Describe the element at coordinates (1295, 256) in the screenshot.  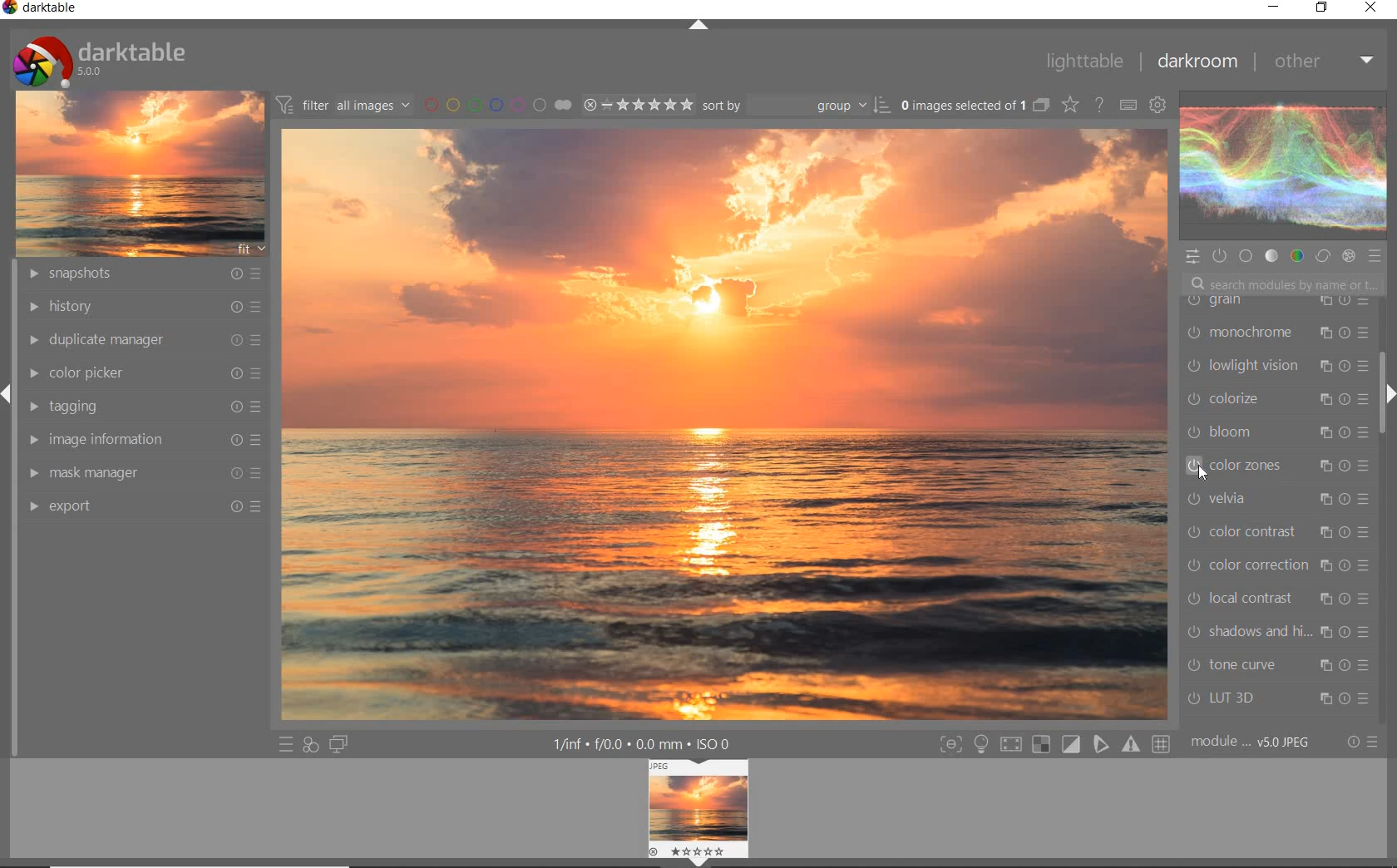
I see `COLOR` at that location.